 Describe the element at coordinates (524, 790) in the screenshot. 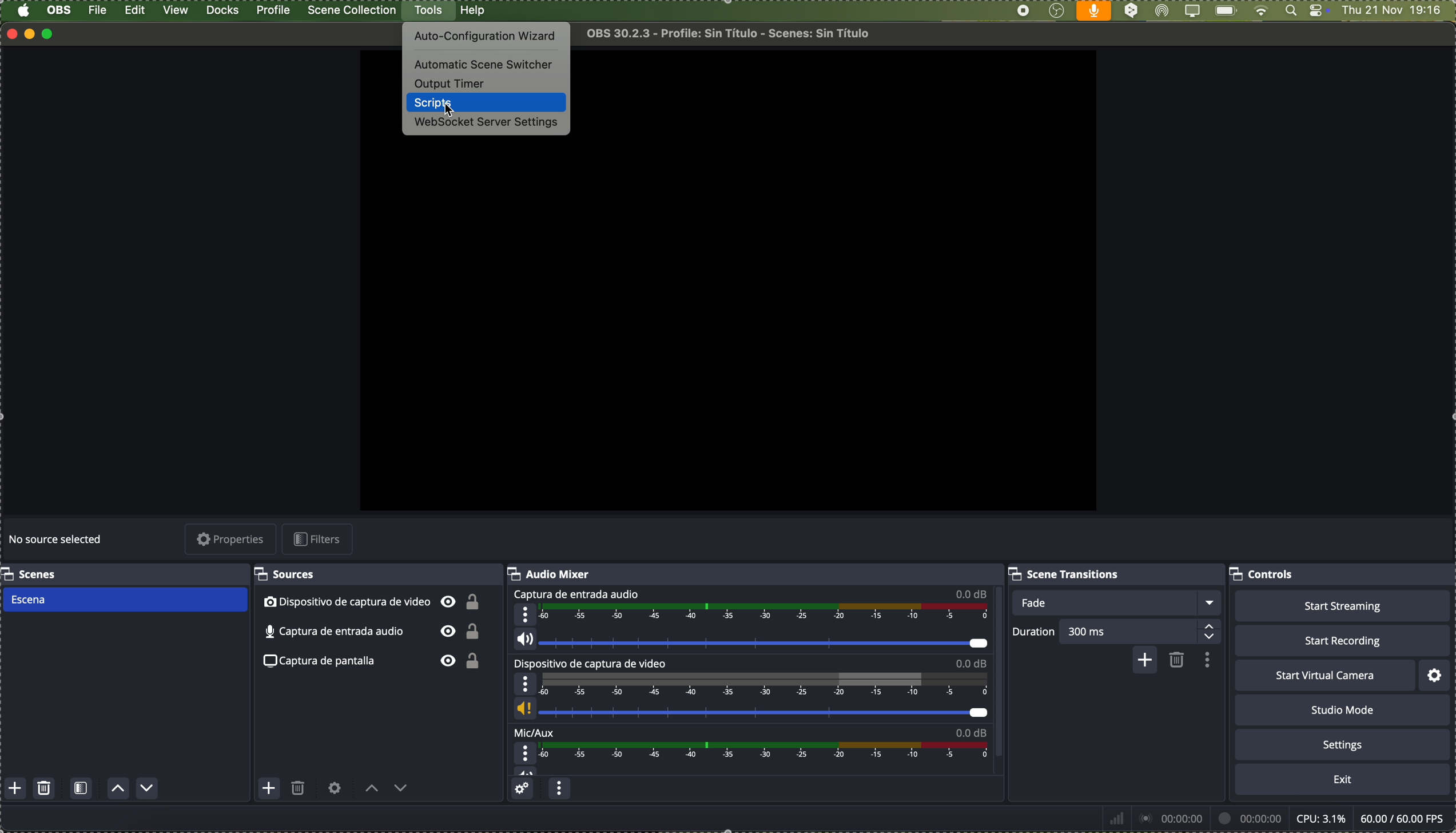

I see `advanced audio properties` at that location.